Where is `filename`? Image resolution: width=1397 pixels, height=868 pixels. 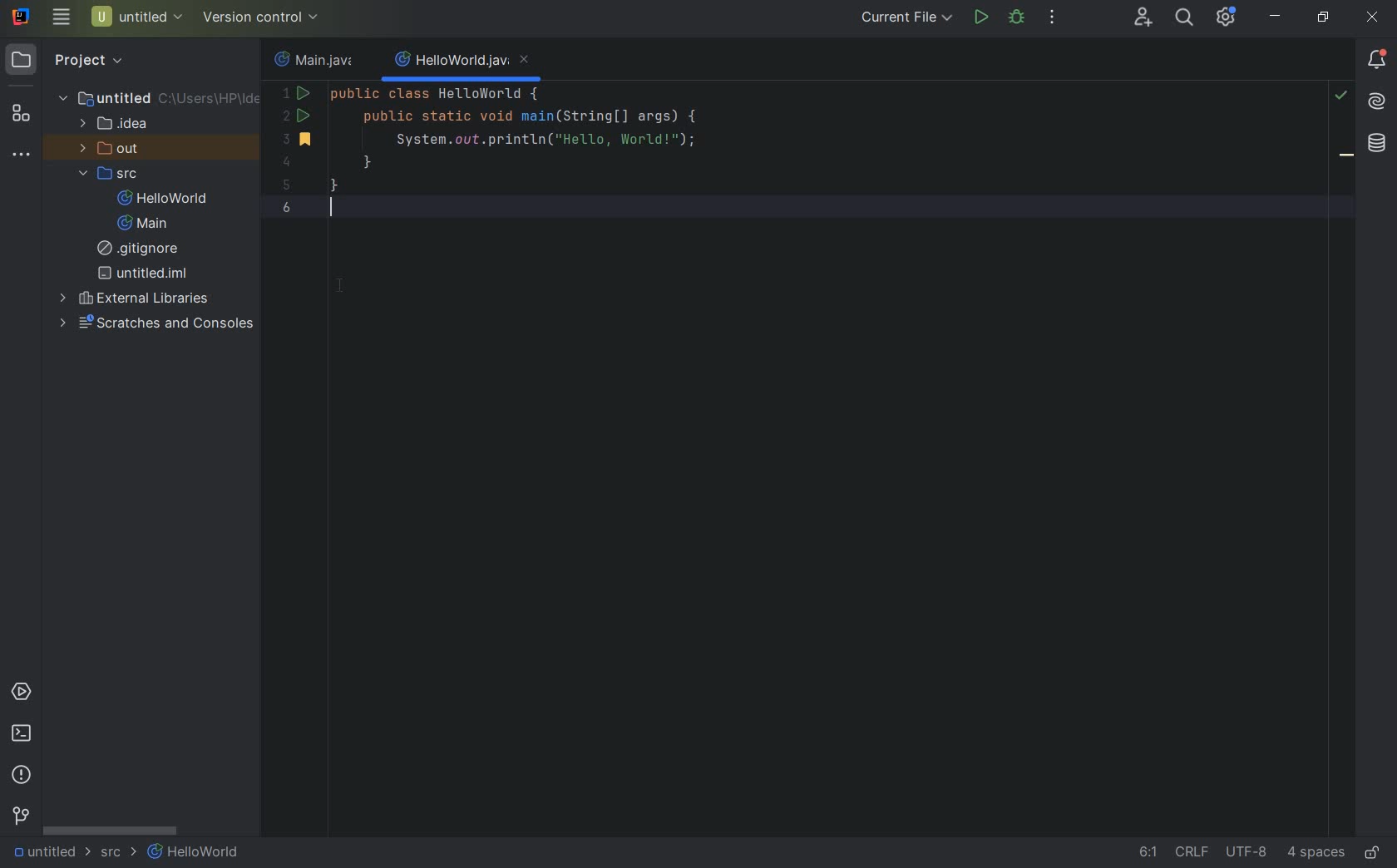 filename is located at coordinates (313, 62).